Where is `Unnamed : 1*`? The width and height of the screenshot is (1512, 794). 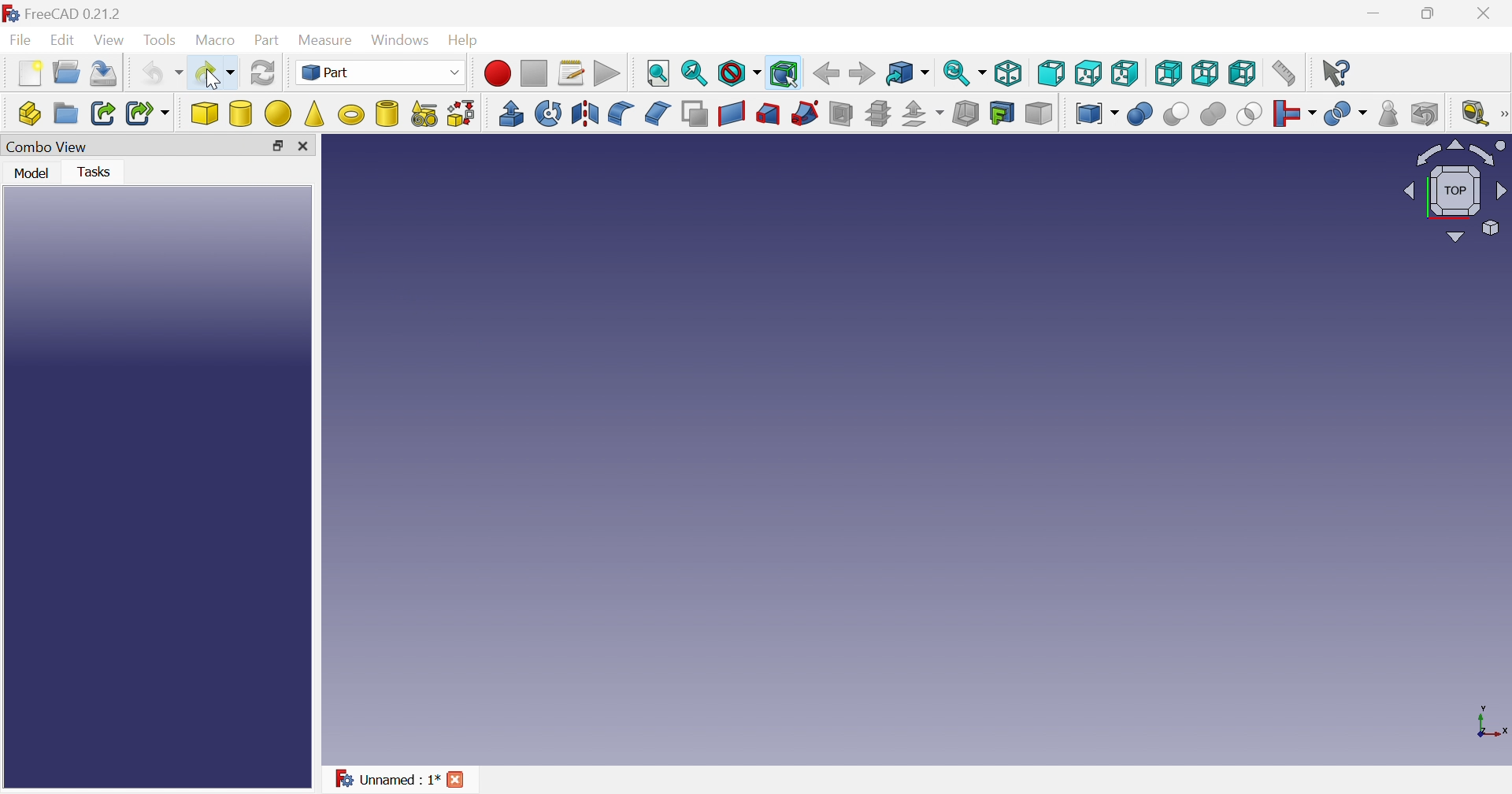 Unnamed : 1* is located at coordinates (387, 778).